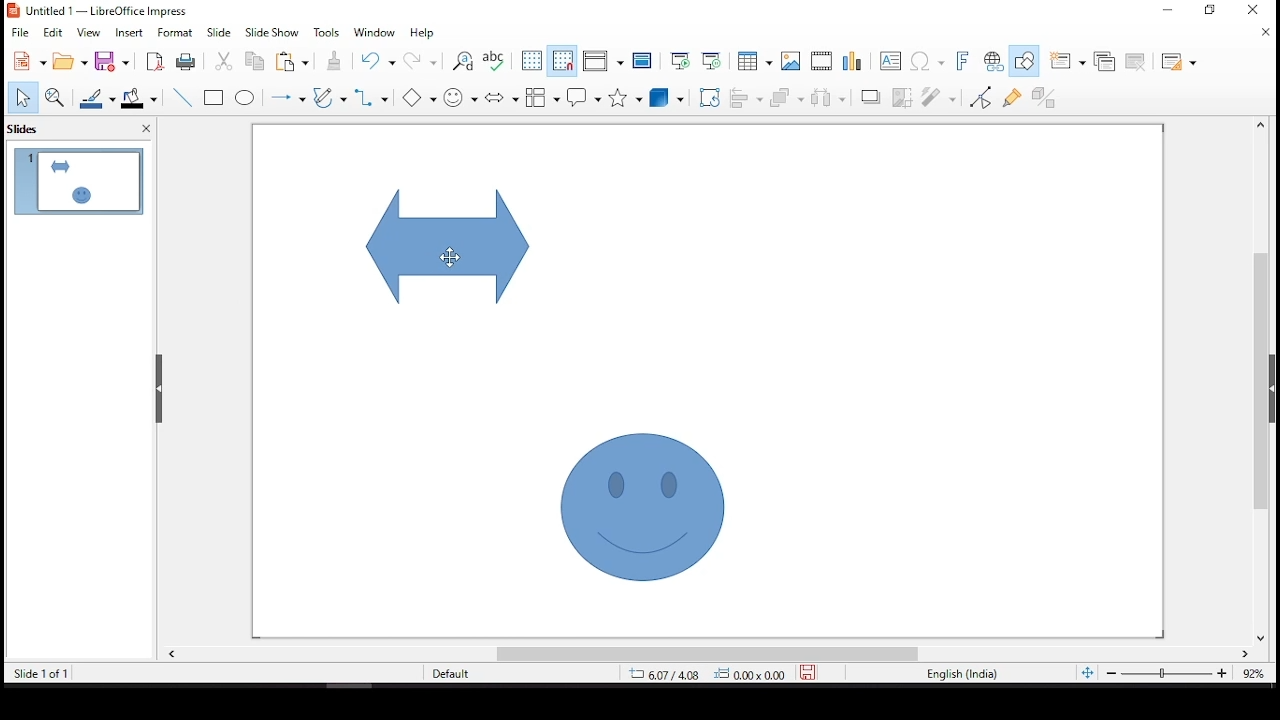 The width and height of the screenshot is (1280, 720). I want to click on minimize, so click(1212, 11).